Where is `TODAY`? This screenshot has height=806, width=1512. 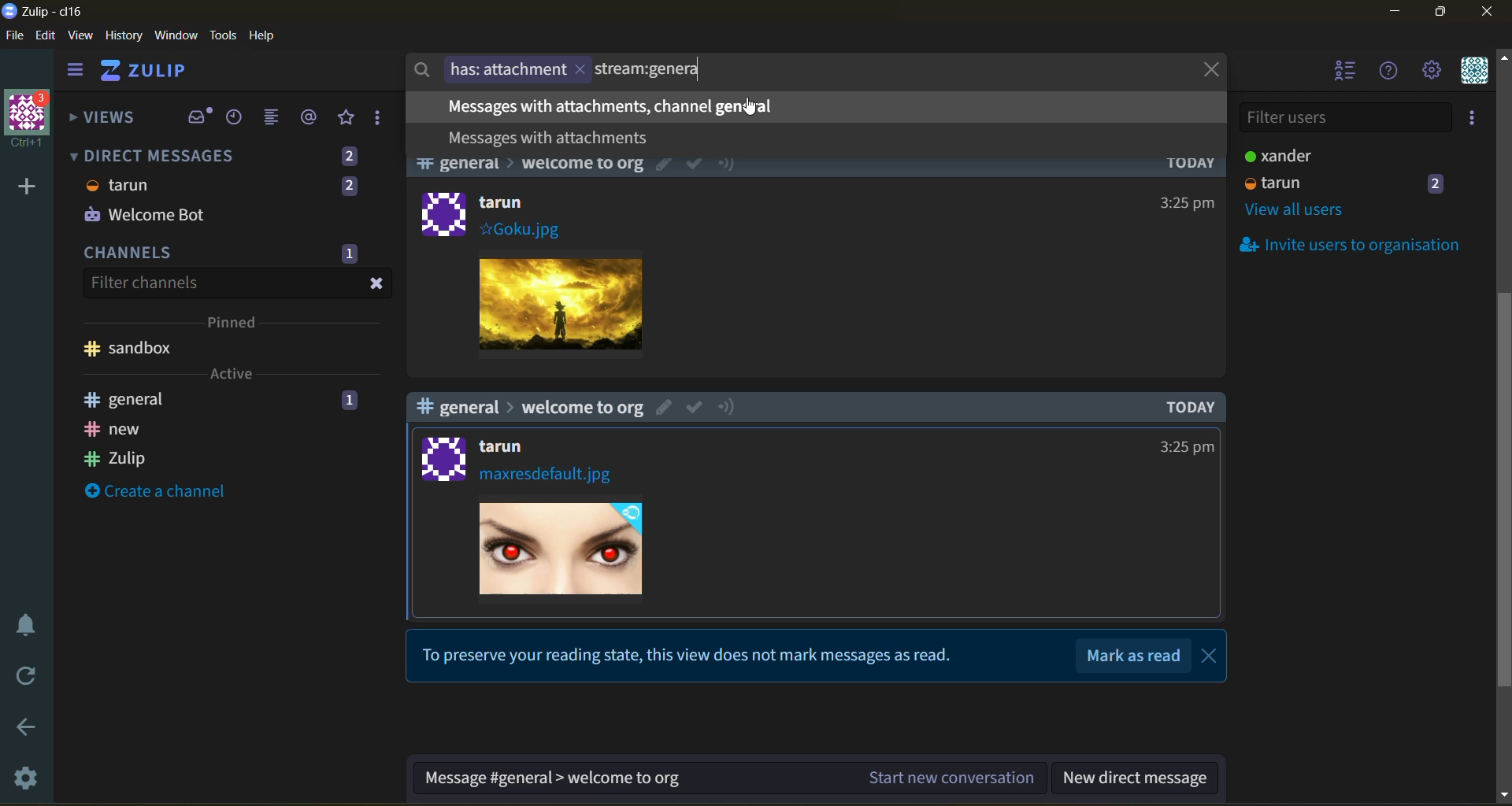 TODAY is located at coordinates (1186, 162).